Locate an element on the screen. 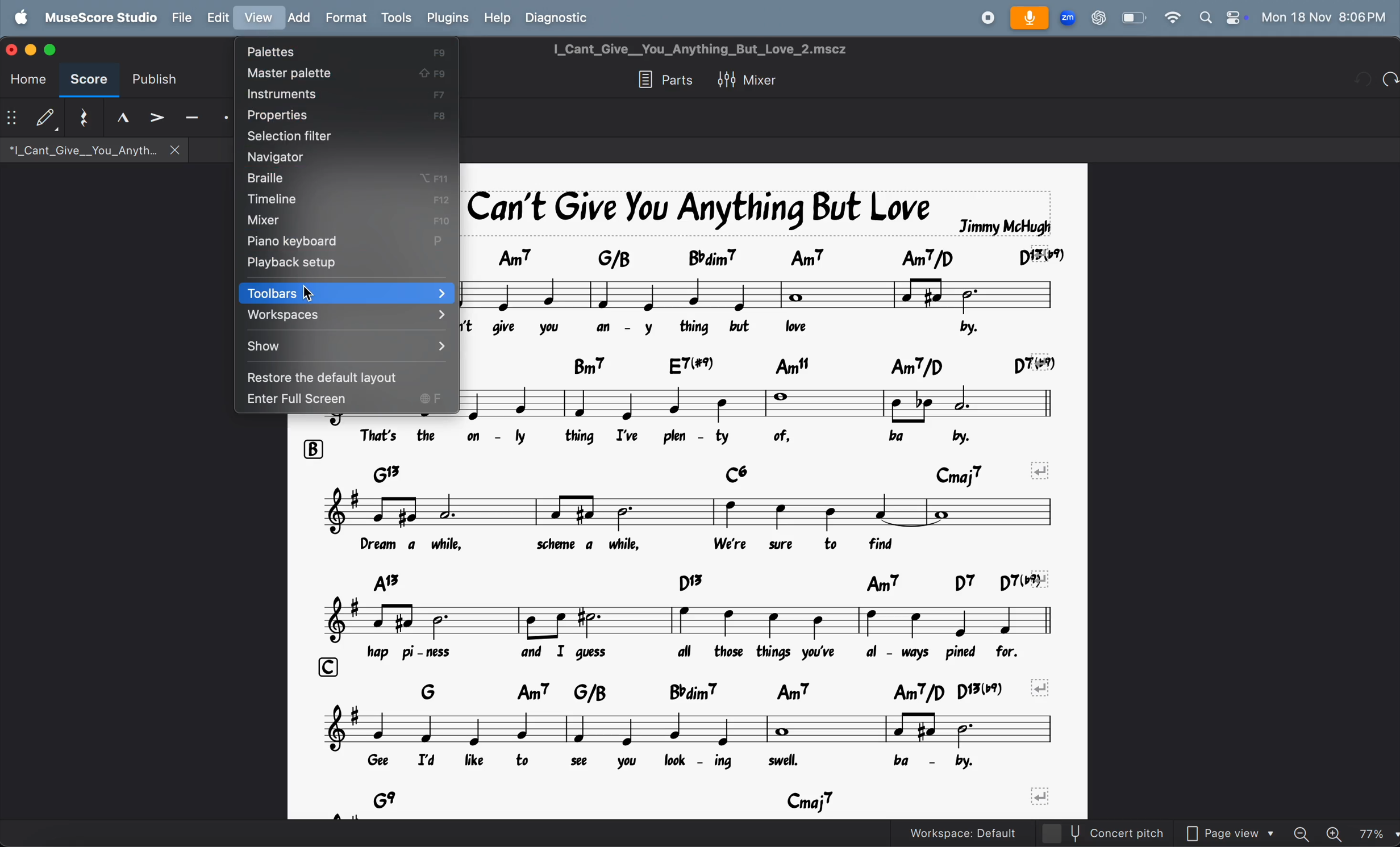  record is located at coordinates (985, 17).